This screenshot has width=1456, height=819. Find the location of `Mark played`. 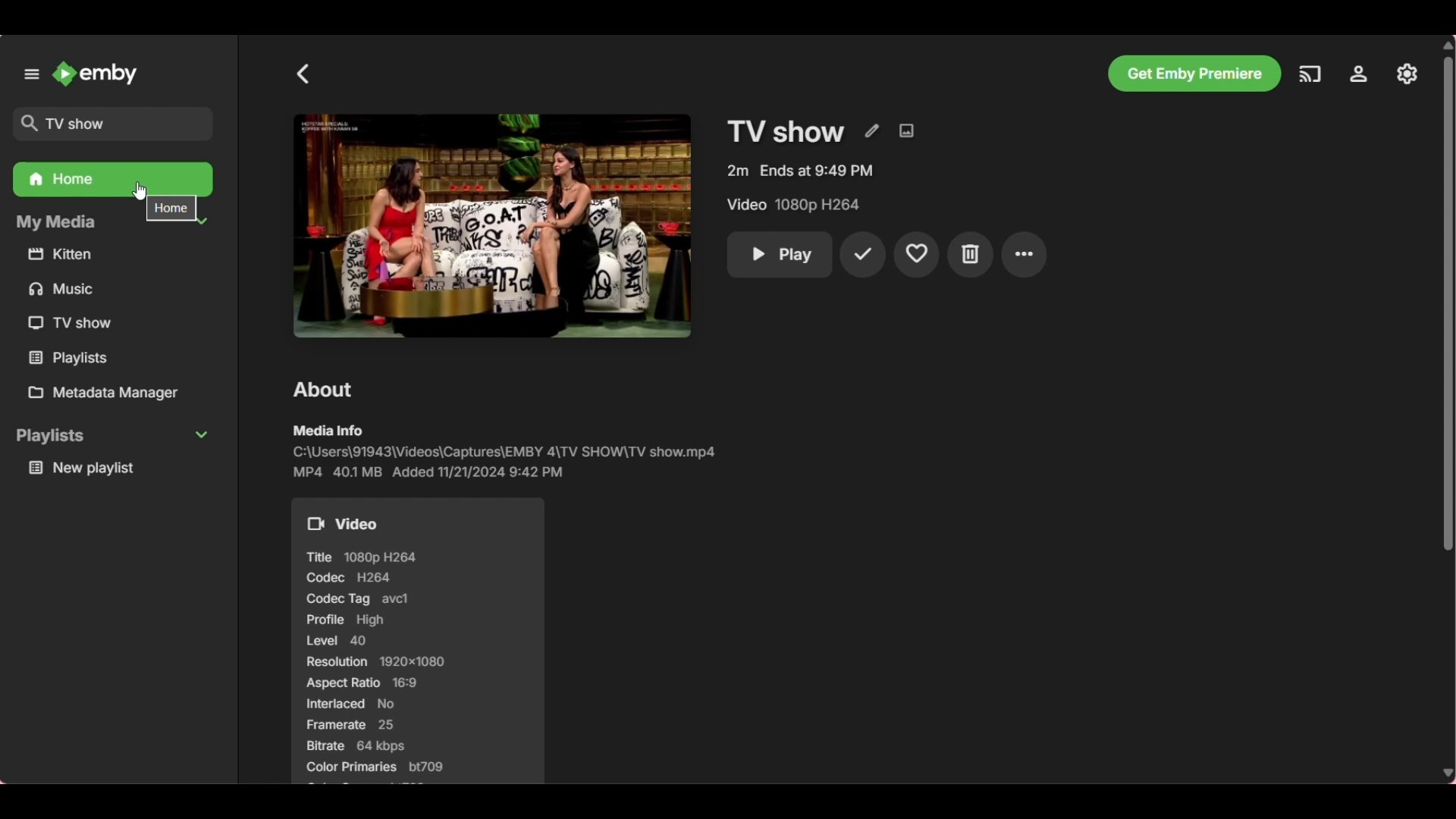

Mark played is located at coordinates (863, 255).